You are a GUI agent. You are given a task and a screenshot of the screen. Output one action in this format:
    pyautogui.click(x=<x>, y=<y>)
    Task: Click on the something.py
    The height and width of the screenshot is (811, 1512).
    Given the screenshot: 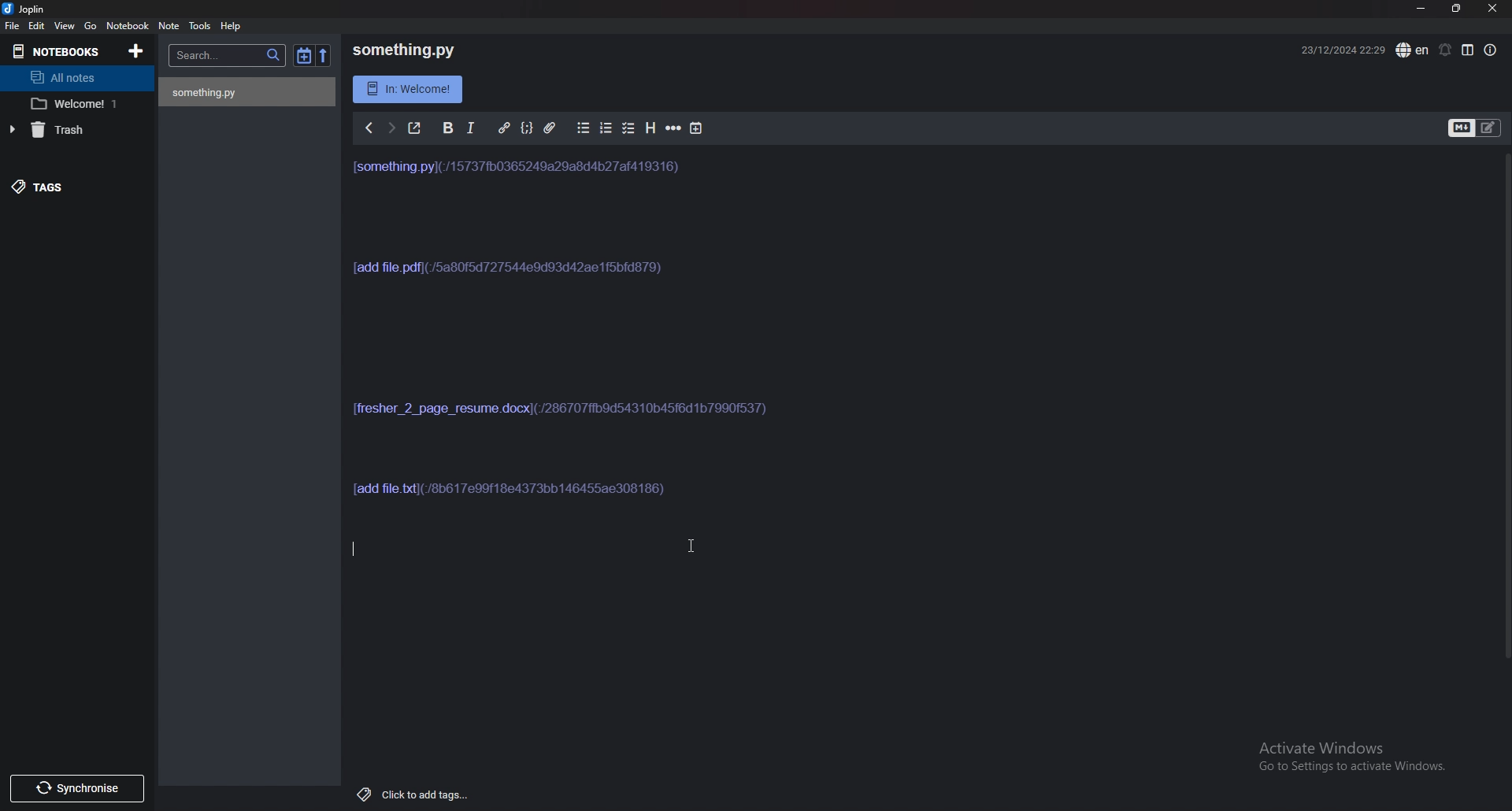 What is the action you would take?
    pyautogui.click(x=239, y=91)
    